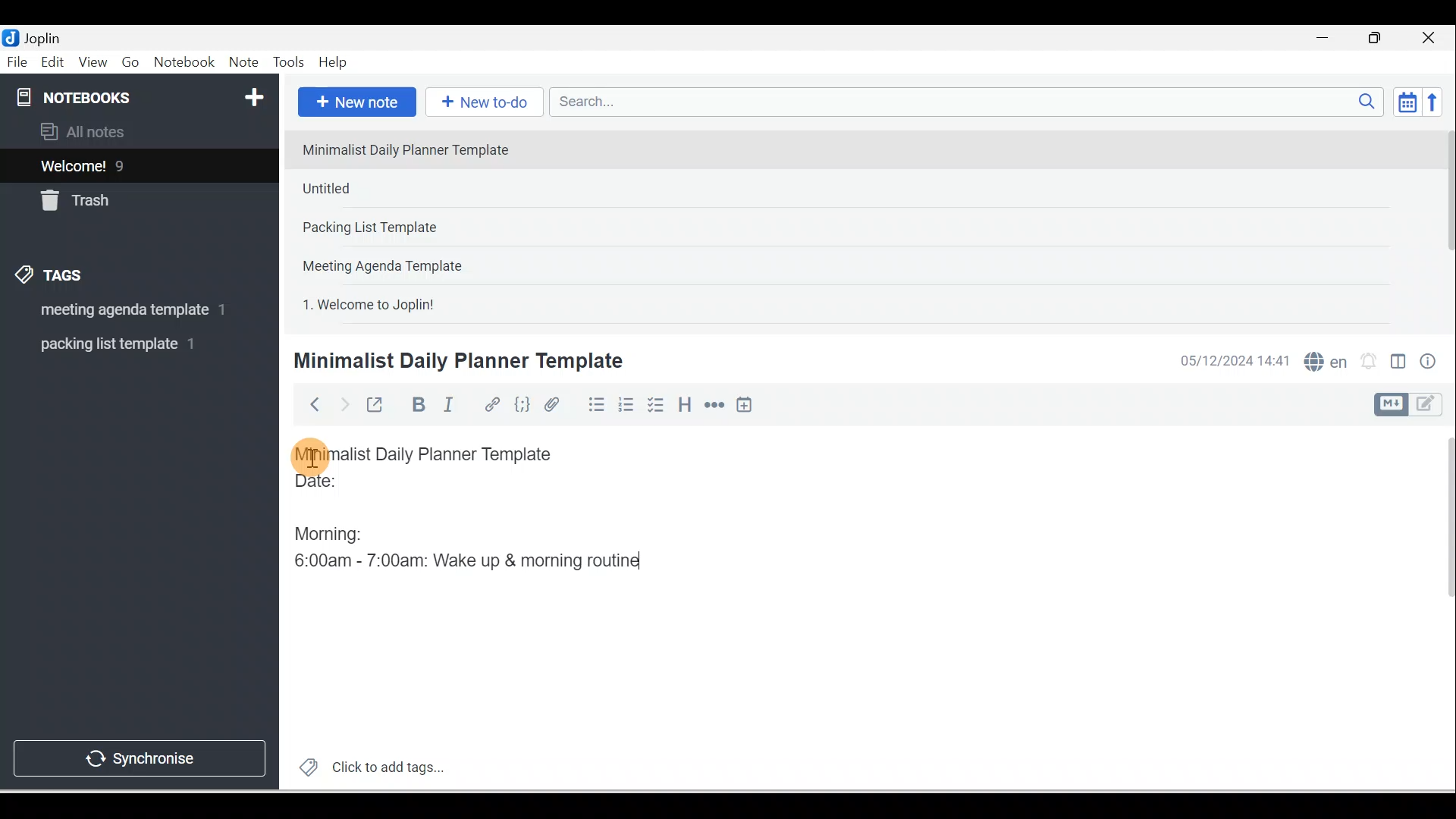 This screenshot has width=1456, height=819. What do you see at coordinates (111, 196) in the screenshot?
I see `Trash` at bounding box center [111, 196].